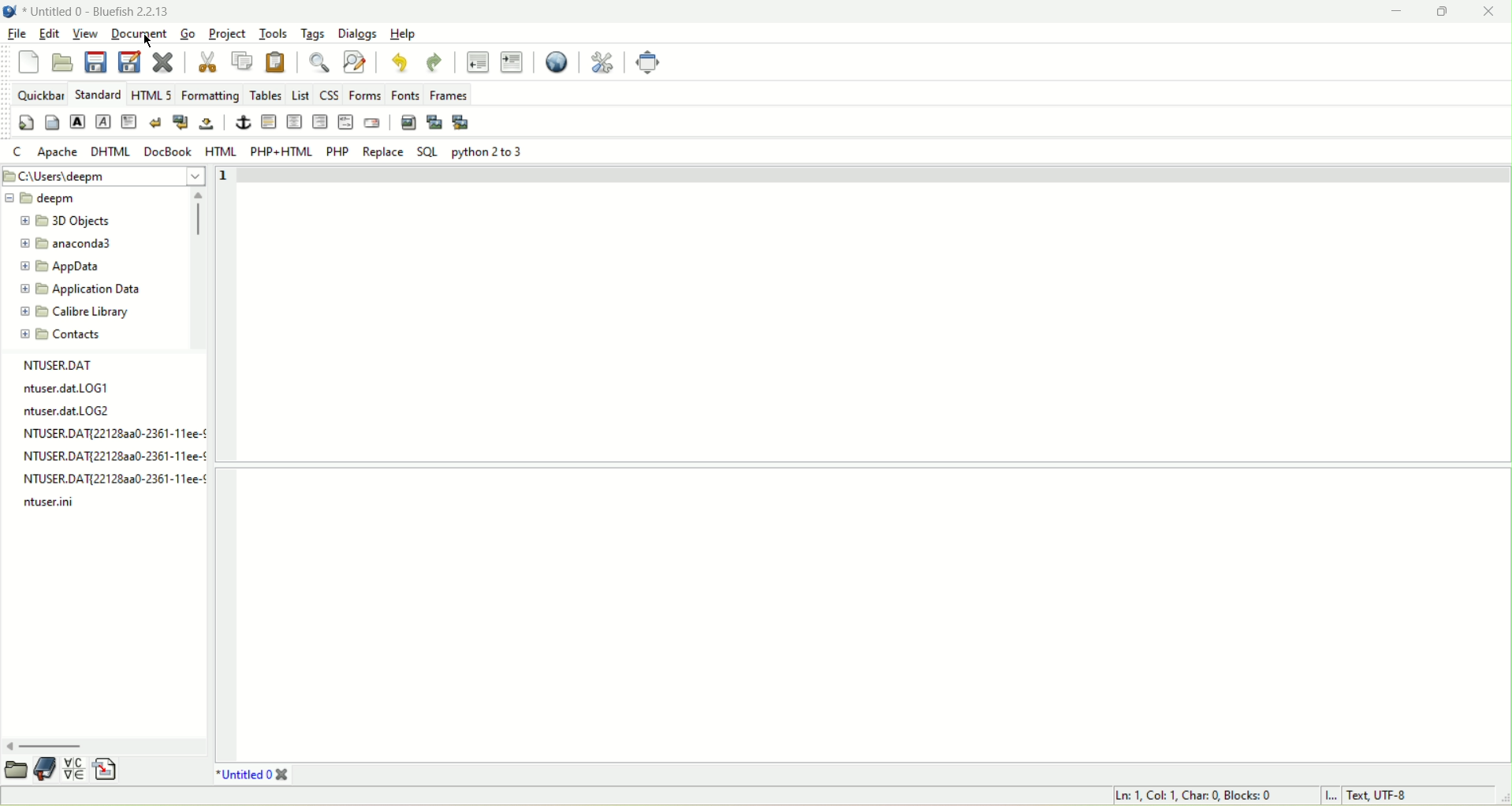  Describe the element at coordinates (9, 11) in the screenshot. I see `bluefish icon` at that location.